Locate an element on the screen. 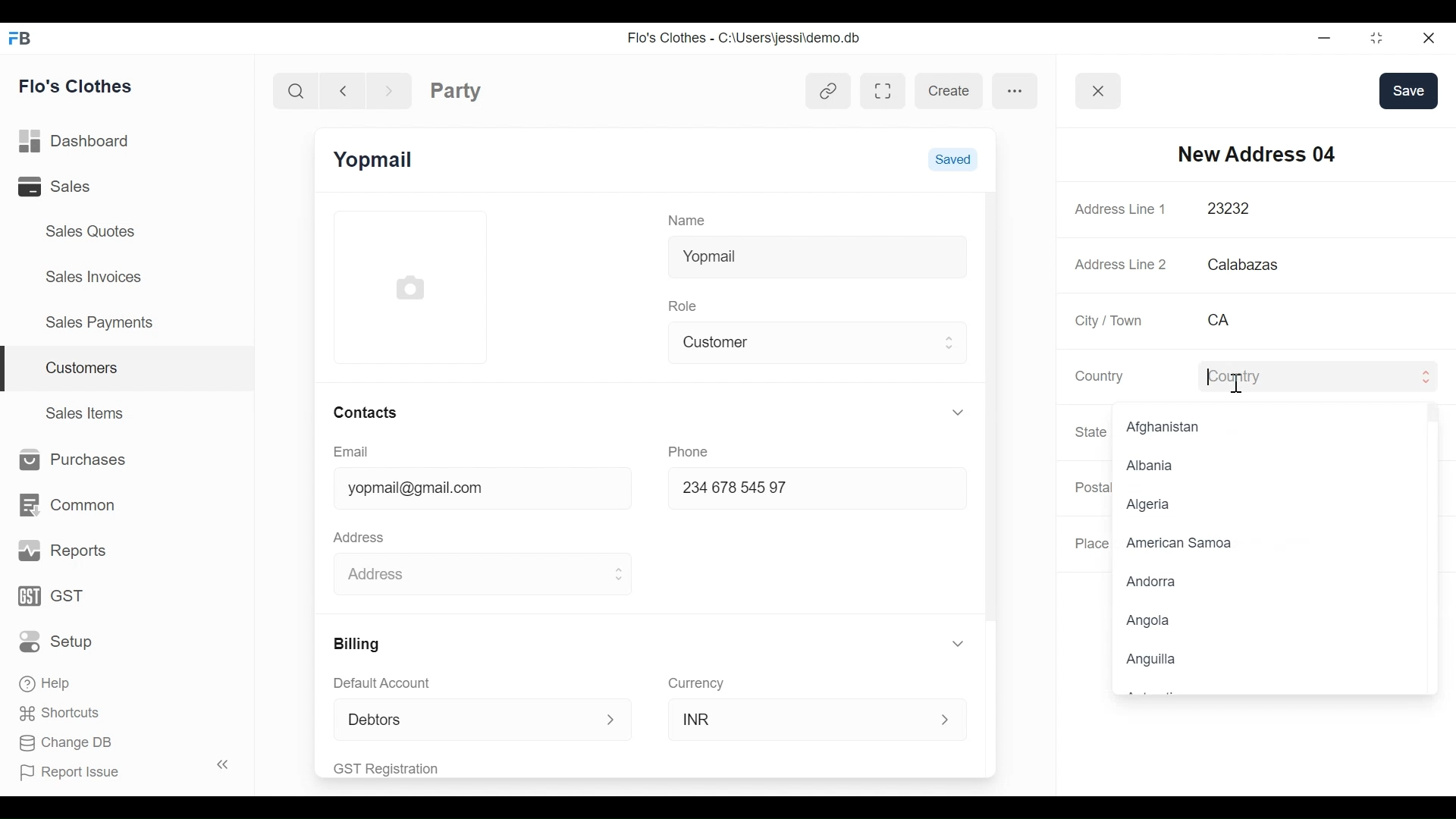 This screenshot has width=1456, height=819. Angola is located at coordinates (1149, 620).